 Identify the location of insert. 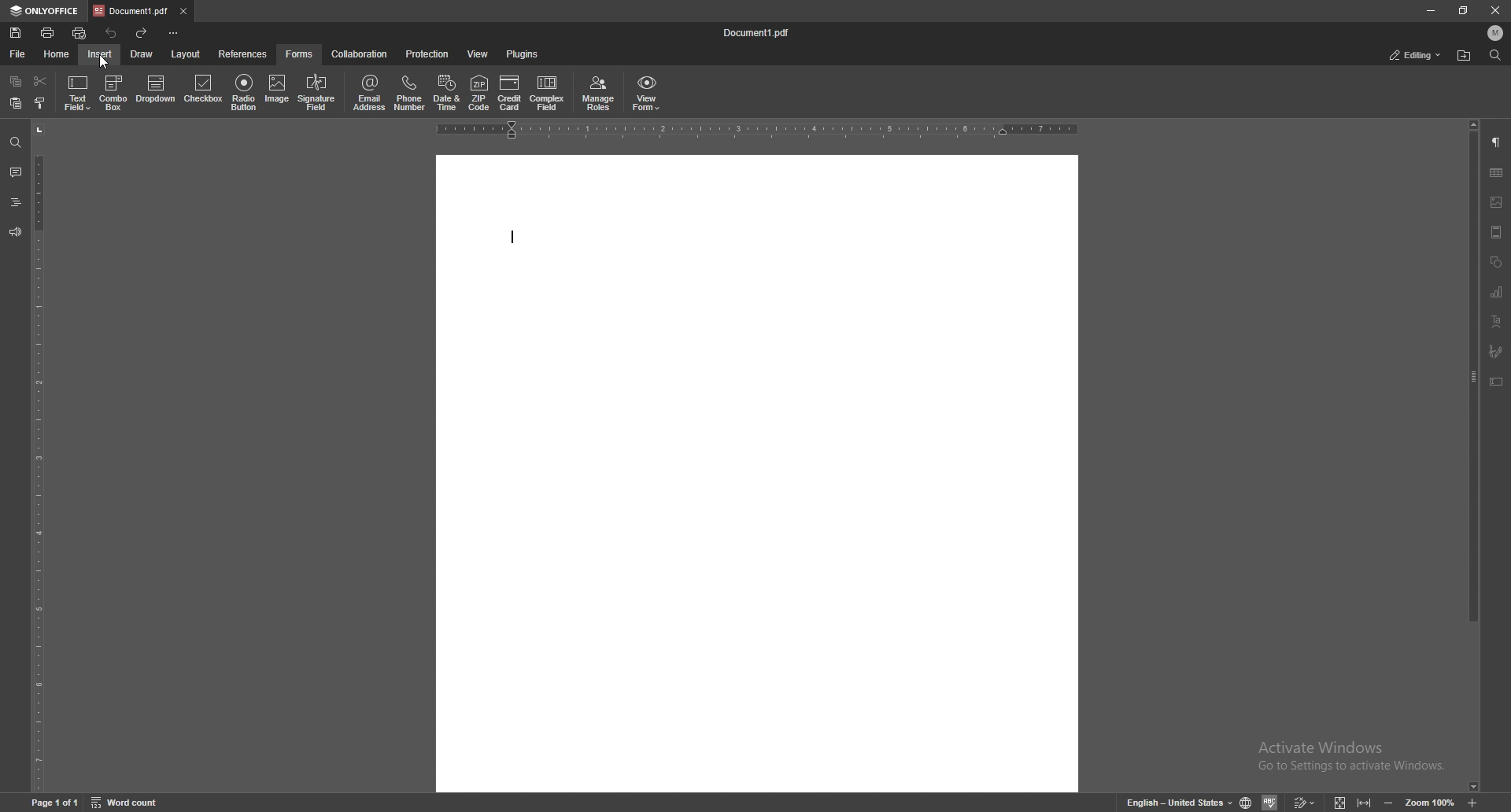
(102, 54).